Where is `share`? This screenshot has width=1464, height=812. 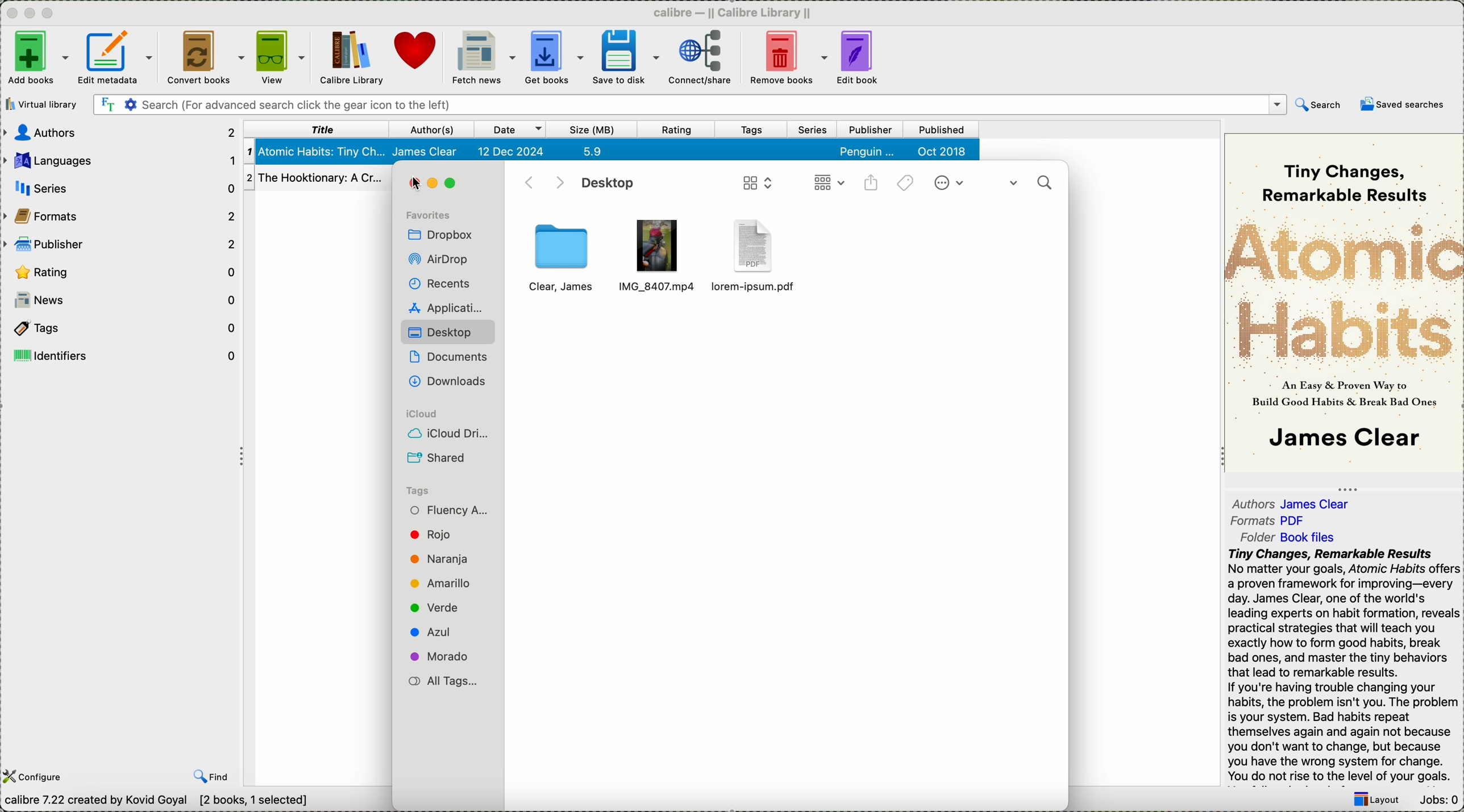
share is located at coordinates (873, 185).